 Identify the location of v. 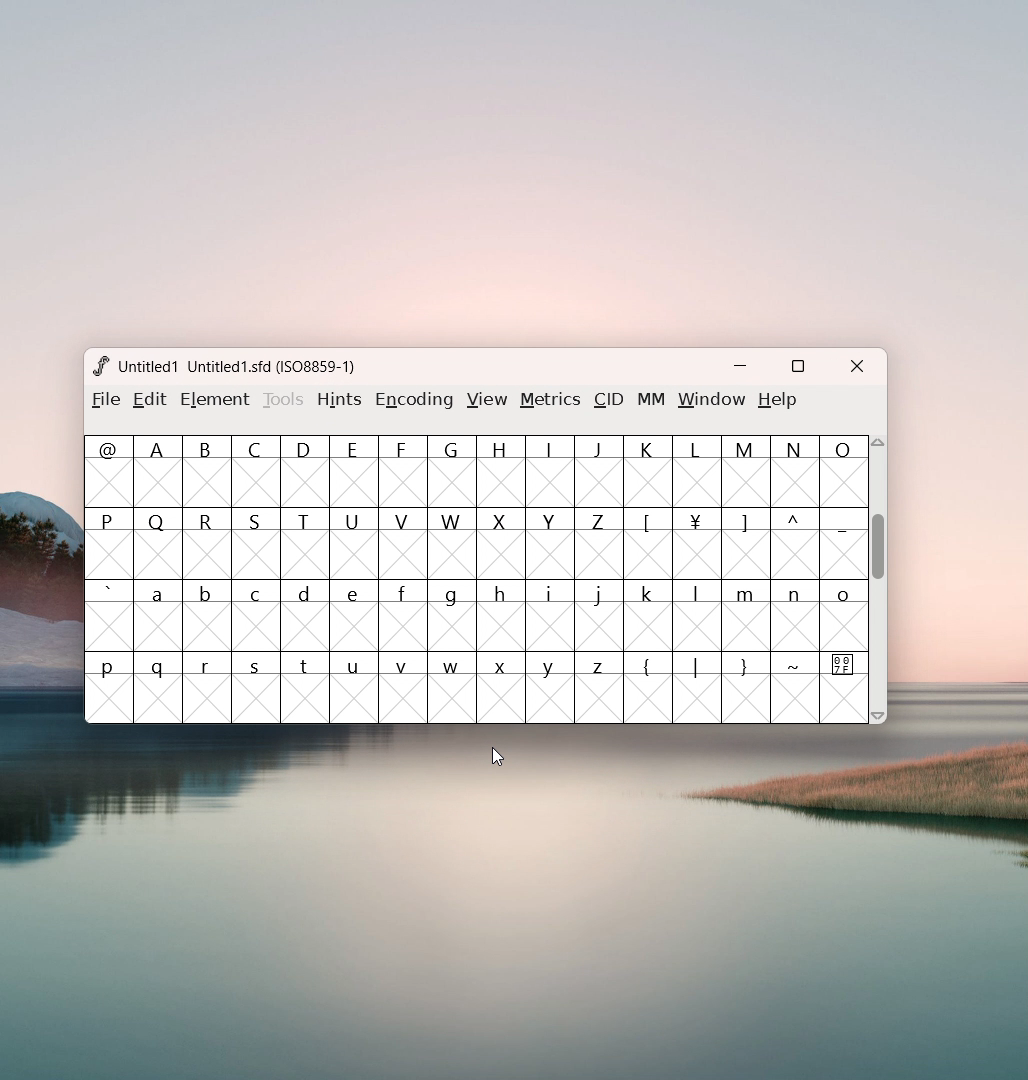
(404, 689).